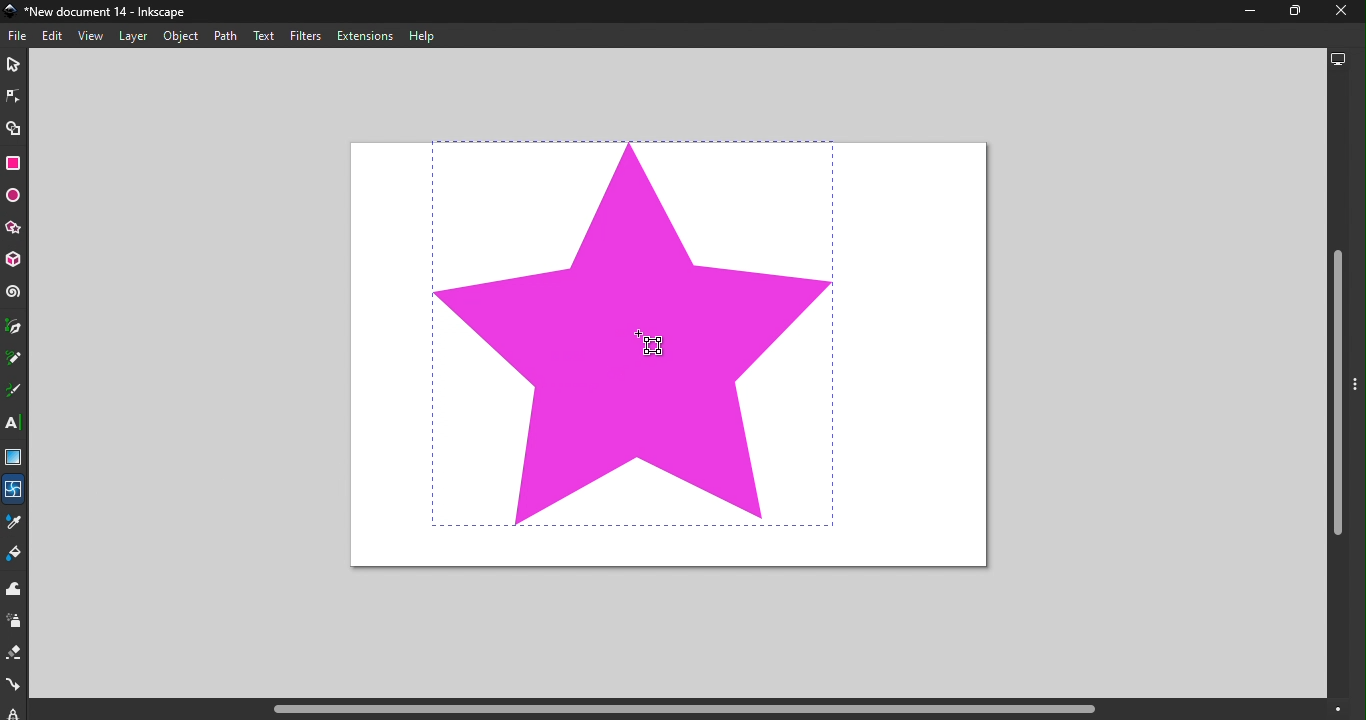 This screenshot has height=720, width=1366. I want to click on Star/Polygon, so click(14, 230).